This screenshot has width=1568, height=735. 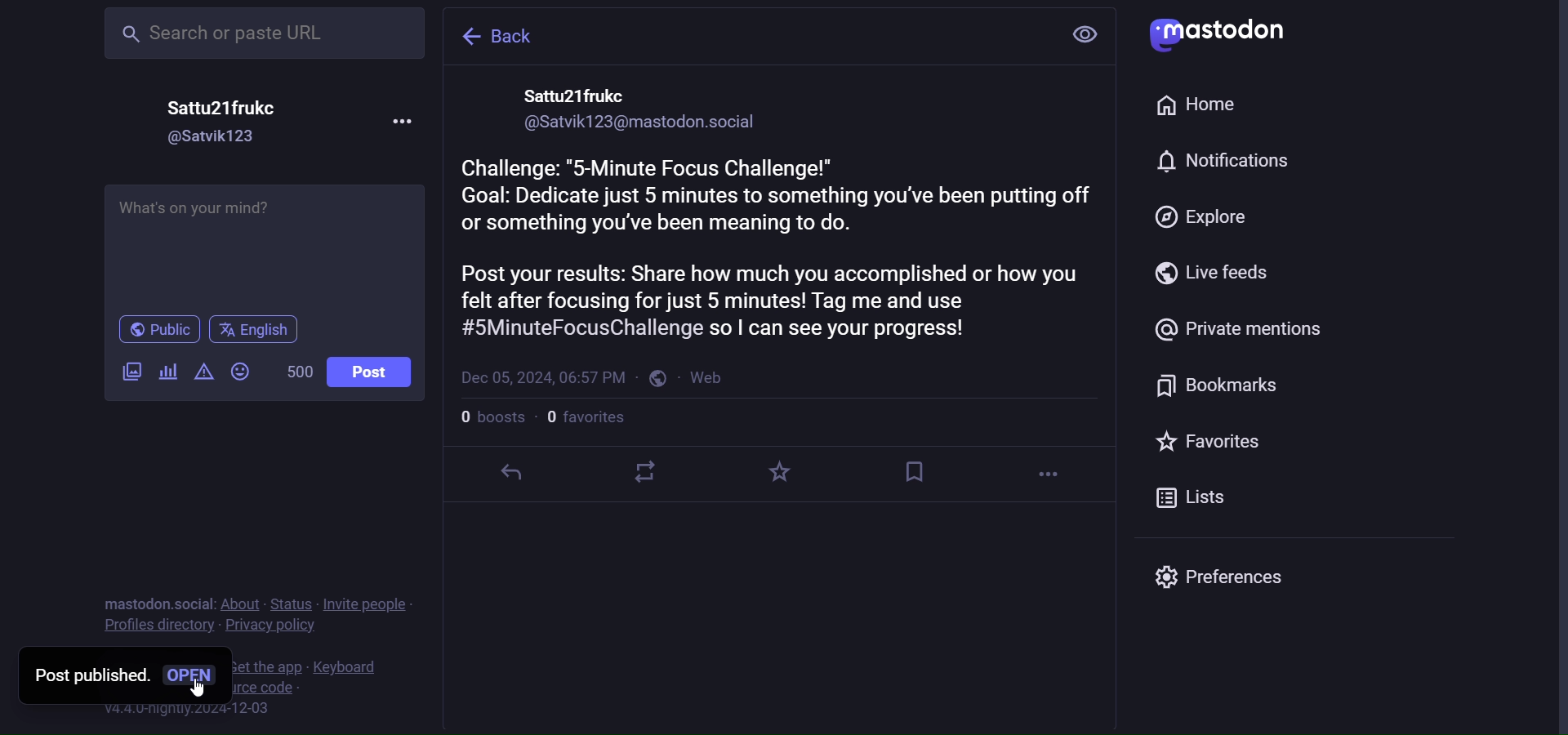 What do you see at coordinates (494, 33) in the screenshot?
I see `back` at bounding box center [494, 33].